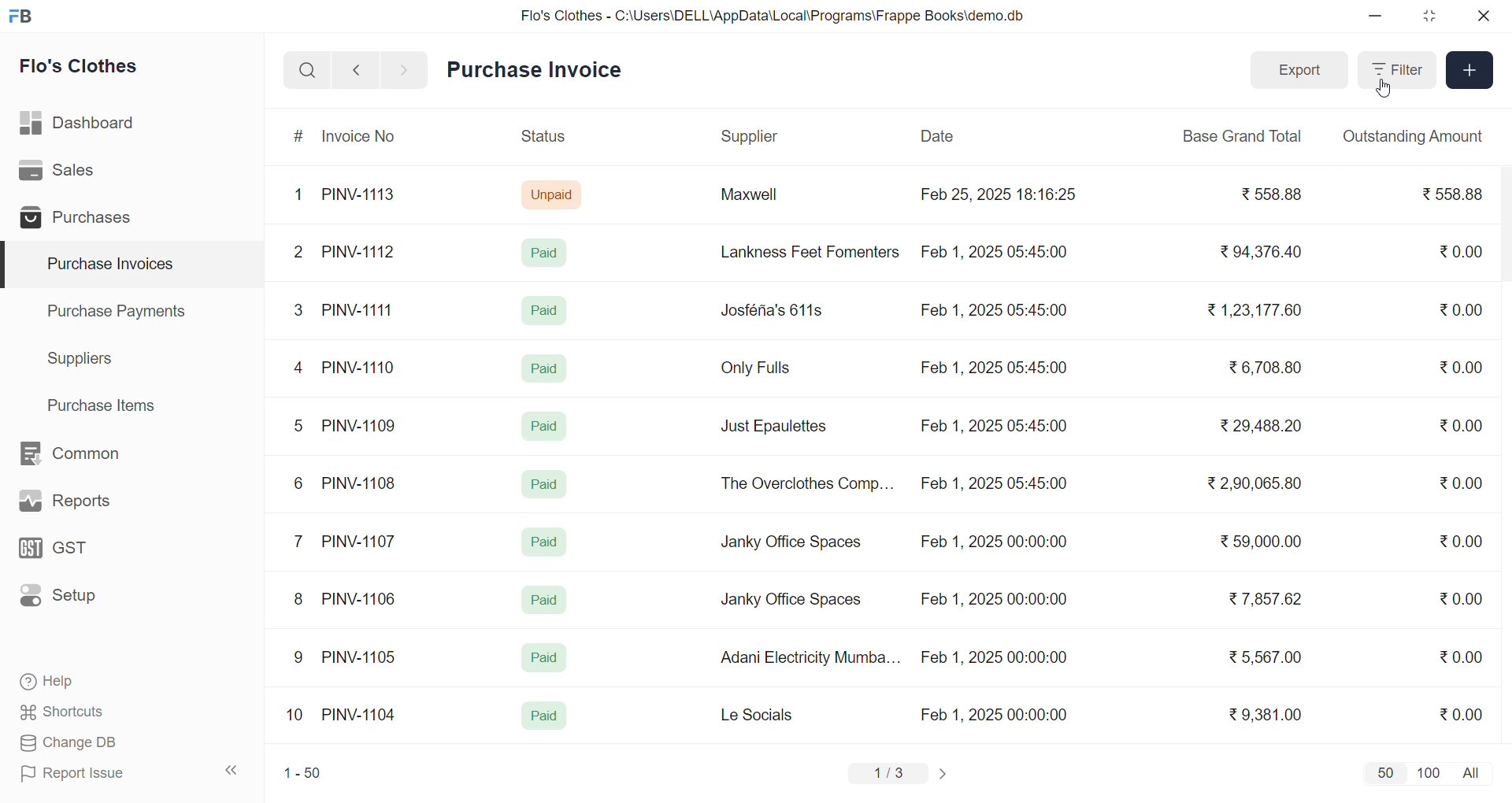 The width and height of the screenshot is (1512, 803). I want to click on Janky Office Spaces, so click(792, 543).